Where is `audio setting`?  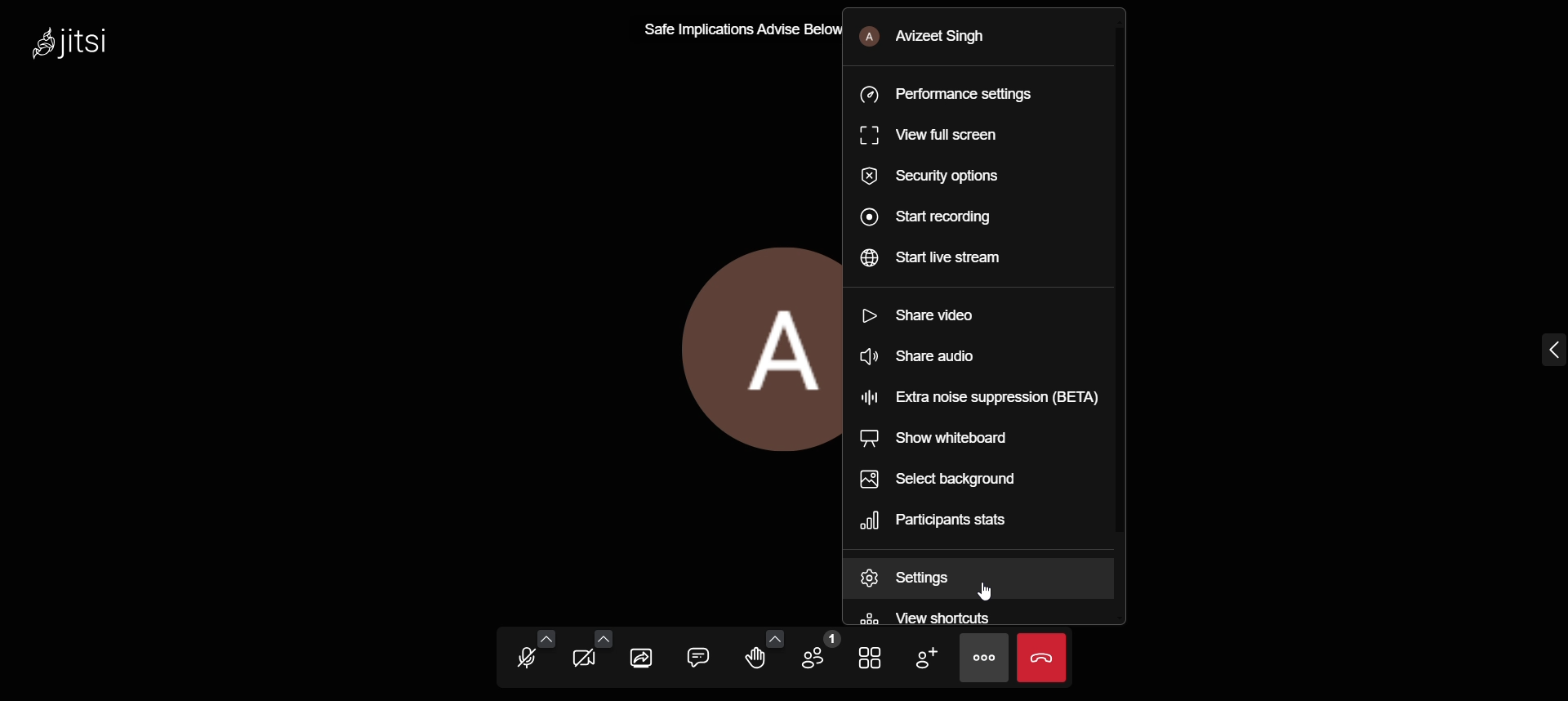 audio setting is located at coordinates (548, 638).